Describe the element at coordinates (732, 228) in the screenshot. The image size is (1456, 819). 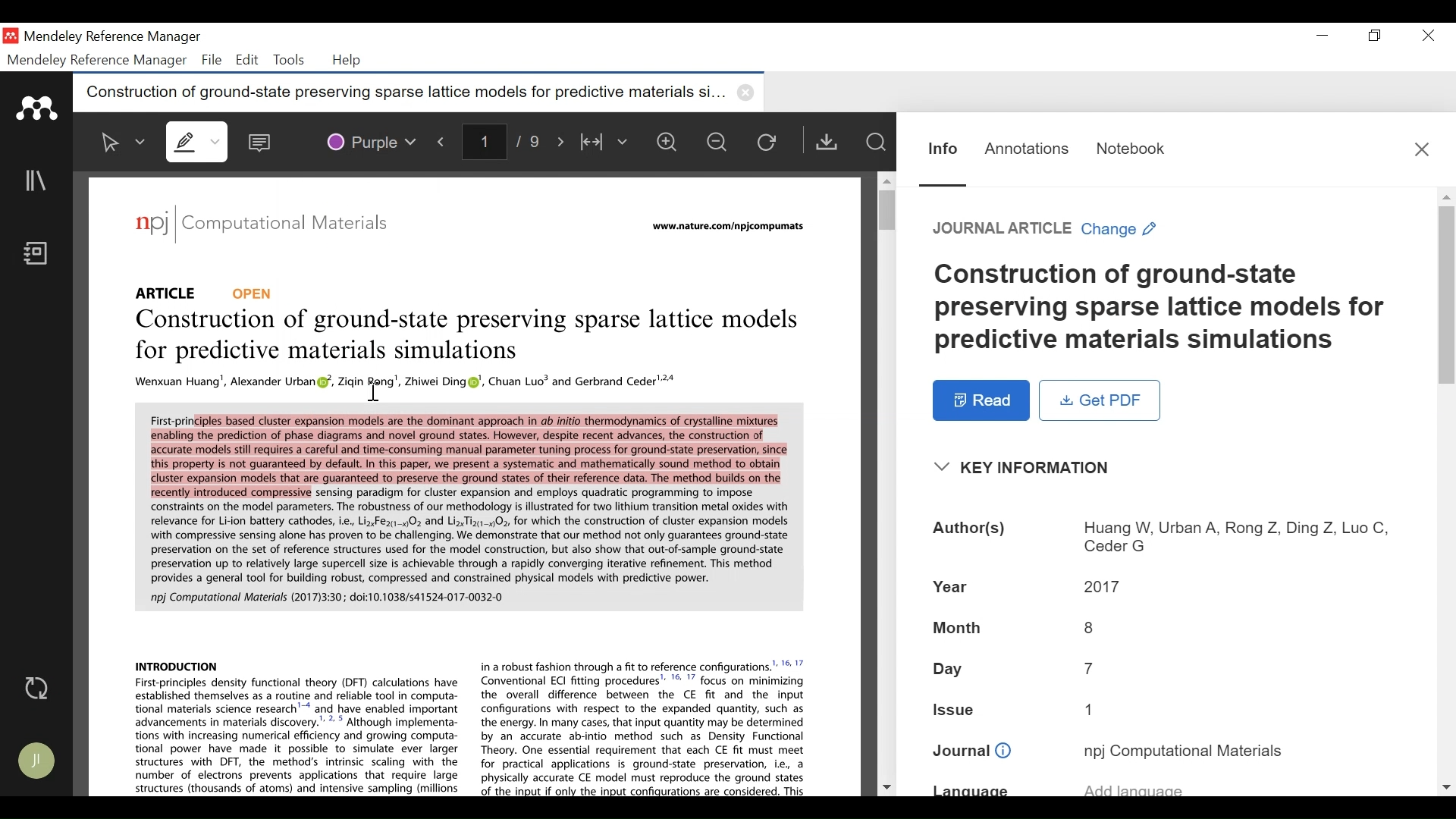
I see `www.nature.com/npkcompumats` at that location.